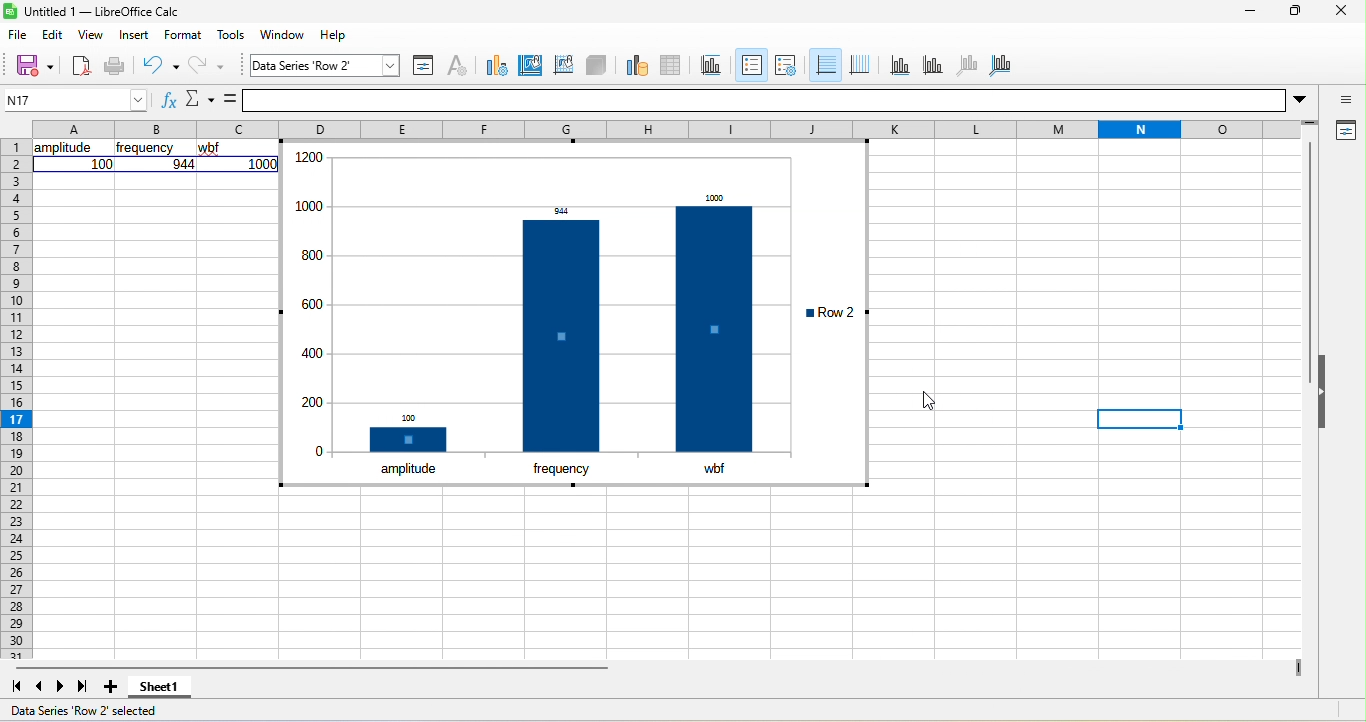 The height and width of the screenshot is (722, 1366). What do you see at coordinates (528, 66) in the screenshot?
I see `chart area` at bounding box center [528, 66].